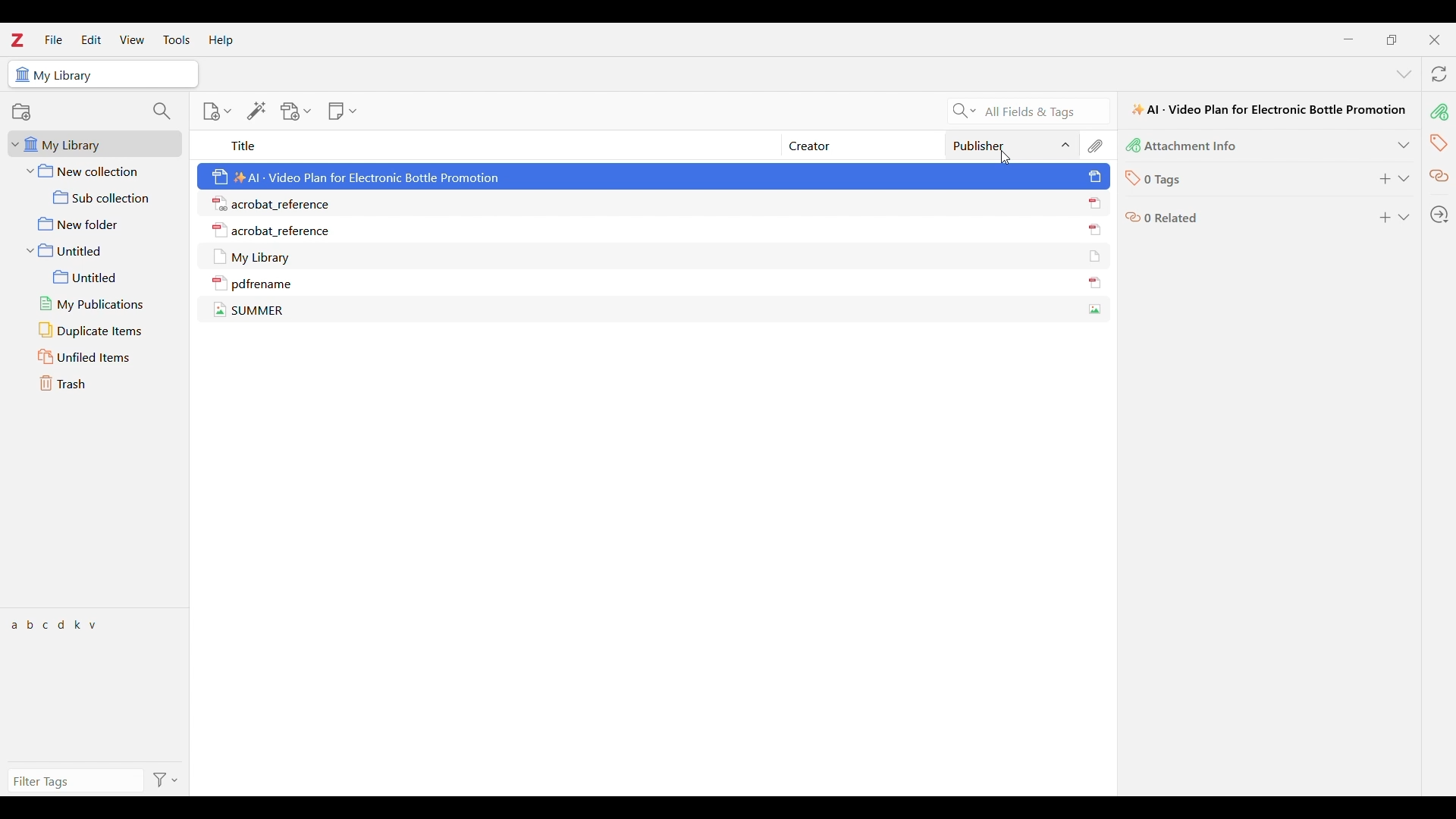  I want to click on My Library, so click(95, 143).